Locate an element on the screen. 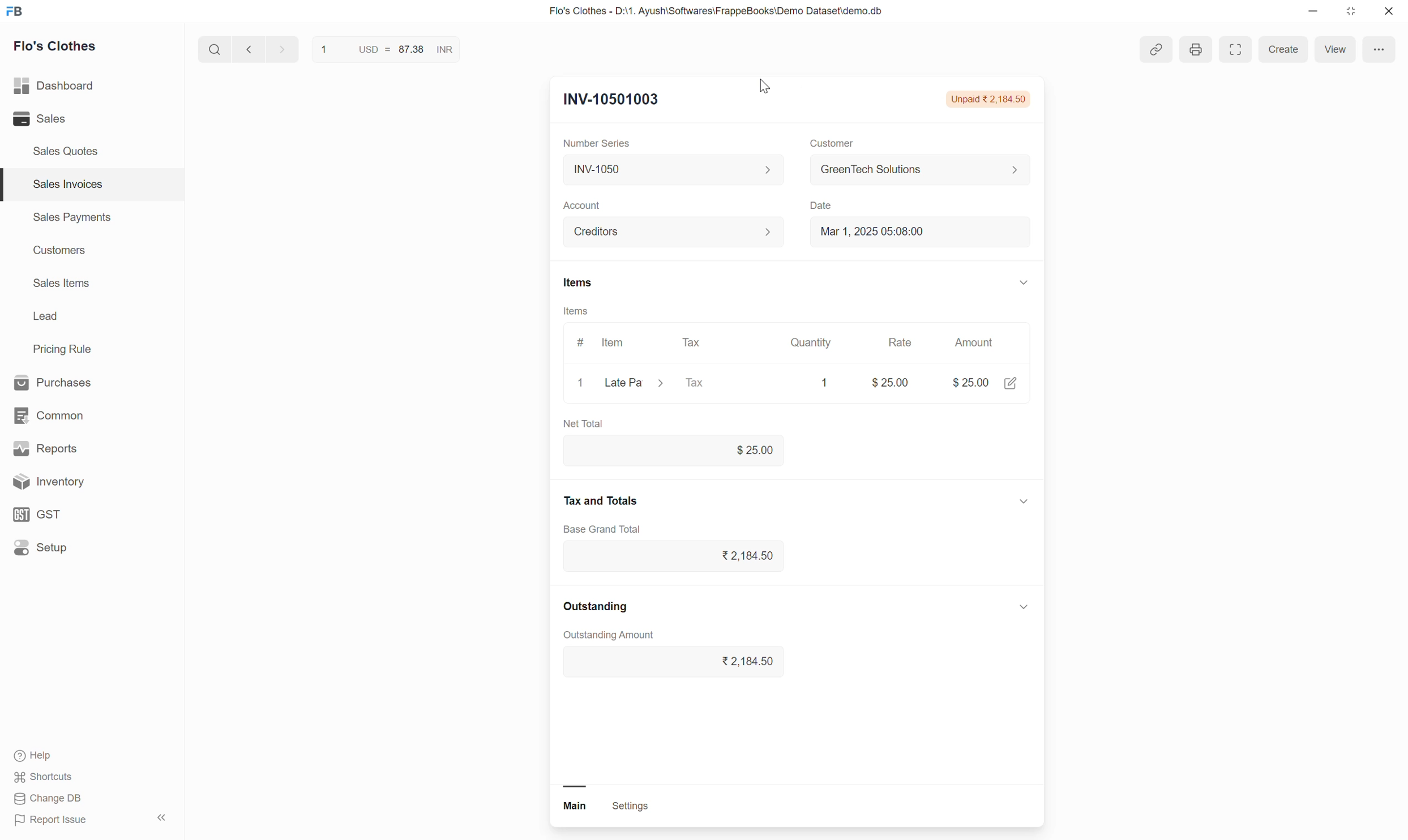  Number Series is located at coordinates (598, 144).